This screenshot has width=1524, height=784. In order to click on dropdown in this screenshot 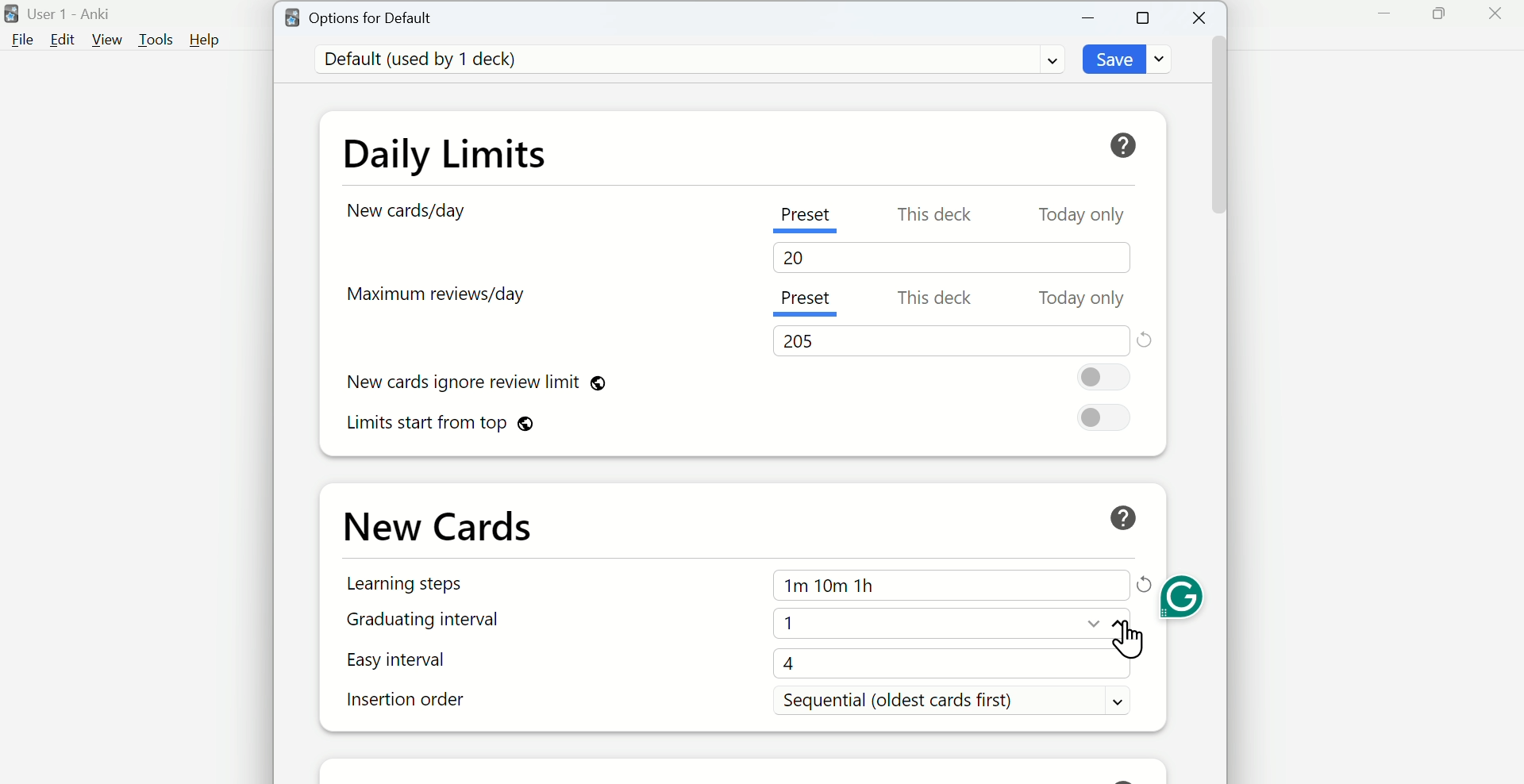, I will do `click(1168, 60)`.